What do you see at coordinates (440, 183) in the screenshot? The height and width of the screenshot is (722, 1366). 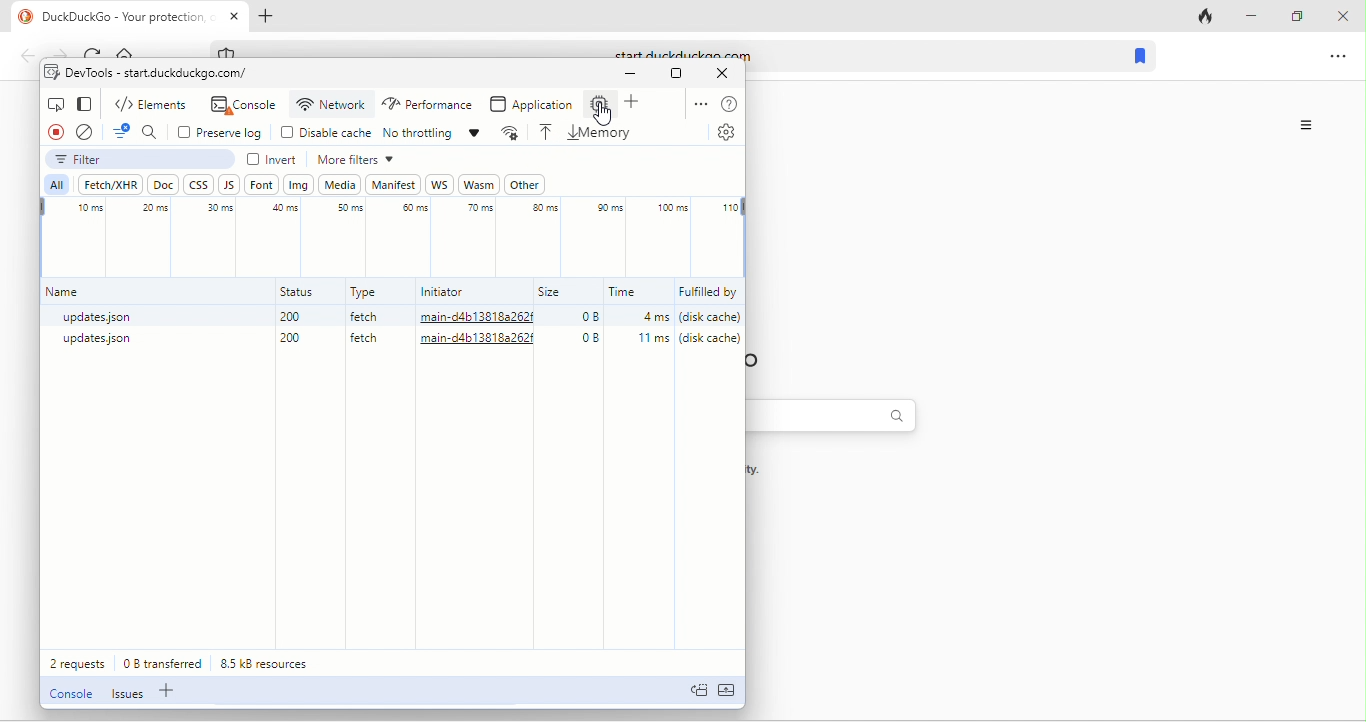 I see `ws` at bounding box center [440, 183].